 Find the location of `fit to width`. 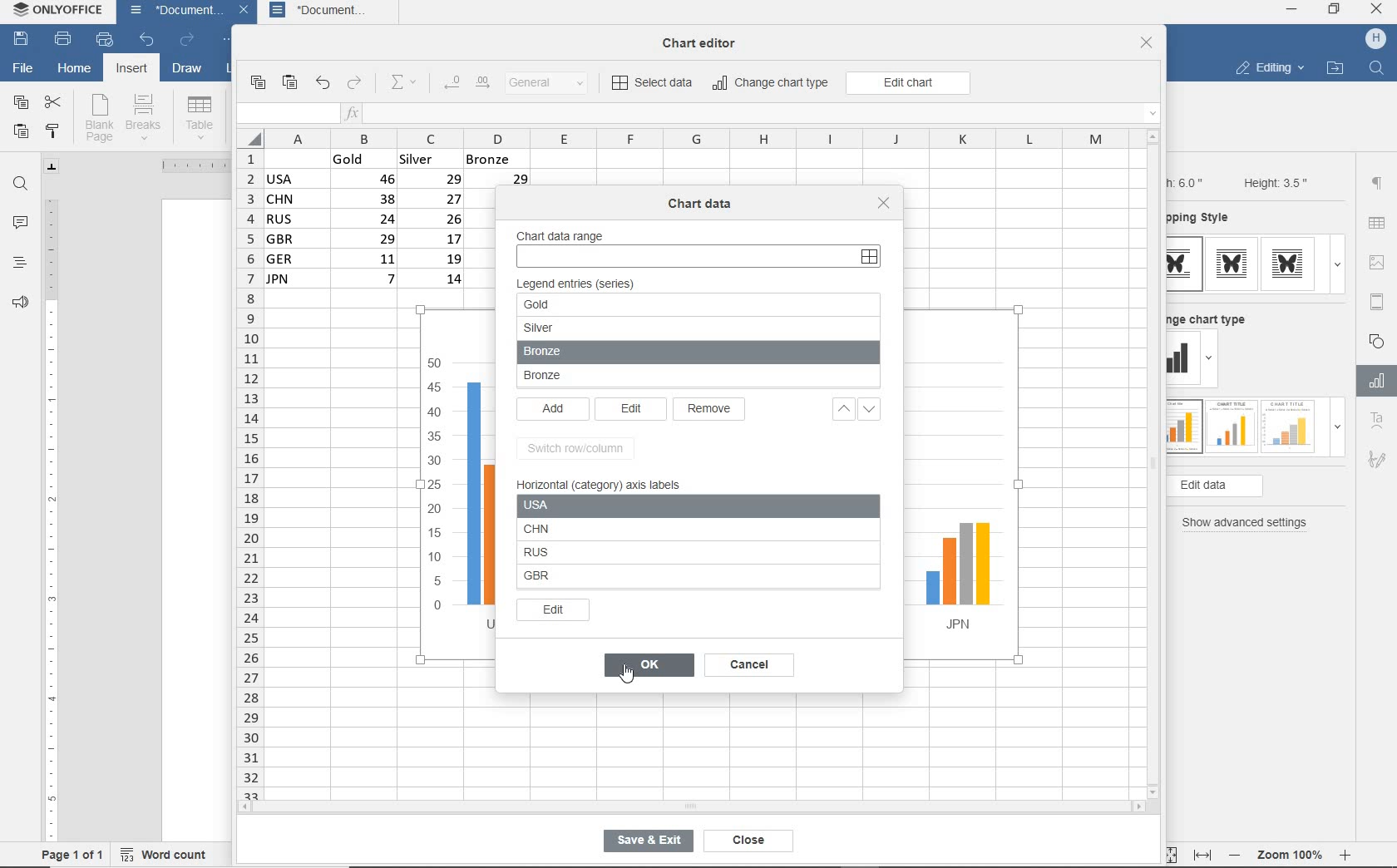

fit to width is located at coordinates (1202, 855).